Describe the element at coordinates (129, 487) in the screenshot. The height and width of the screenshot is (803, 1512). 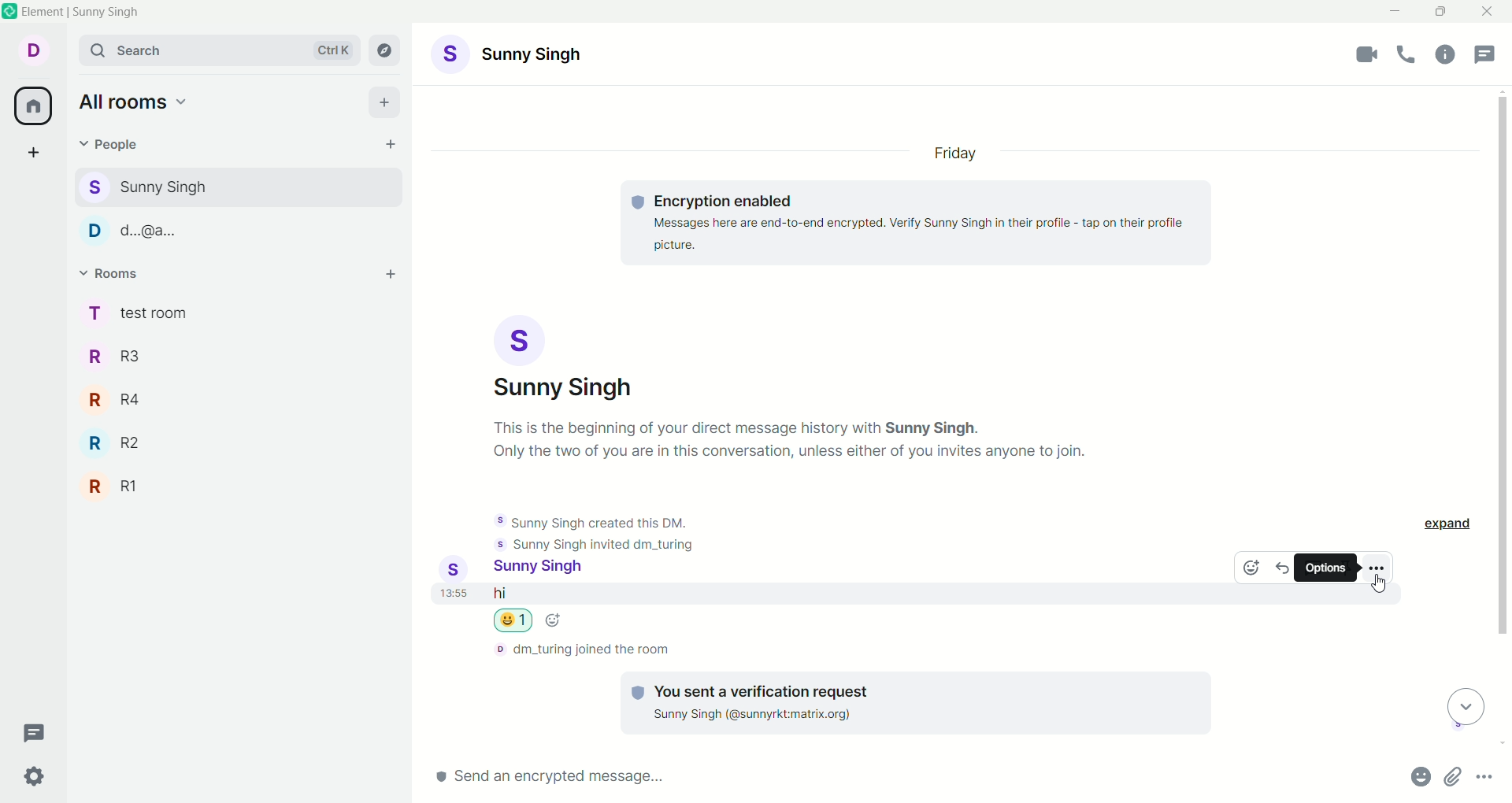
I see `R1` at that location.